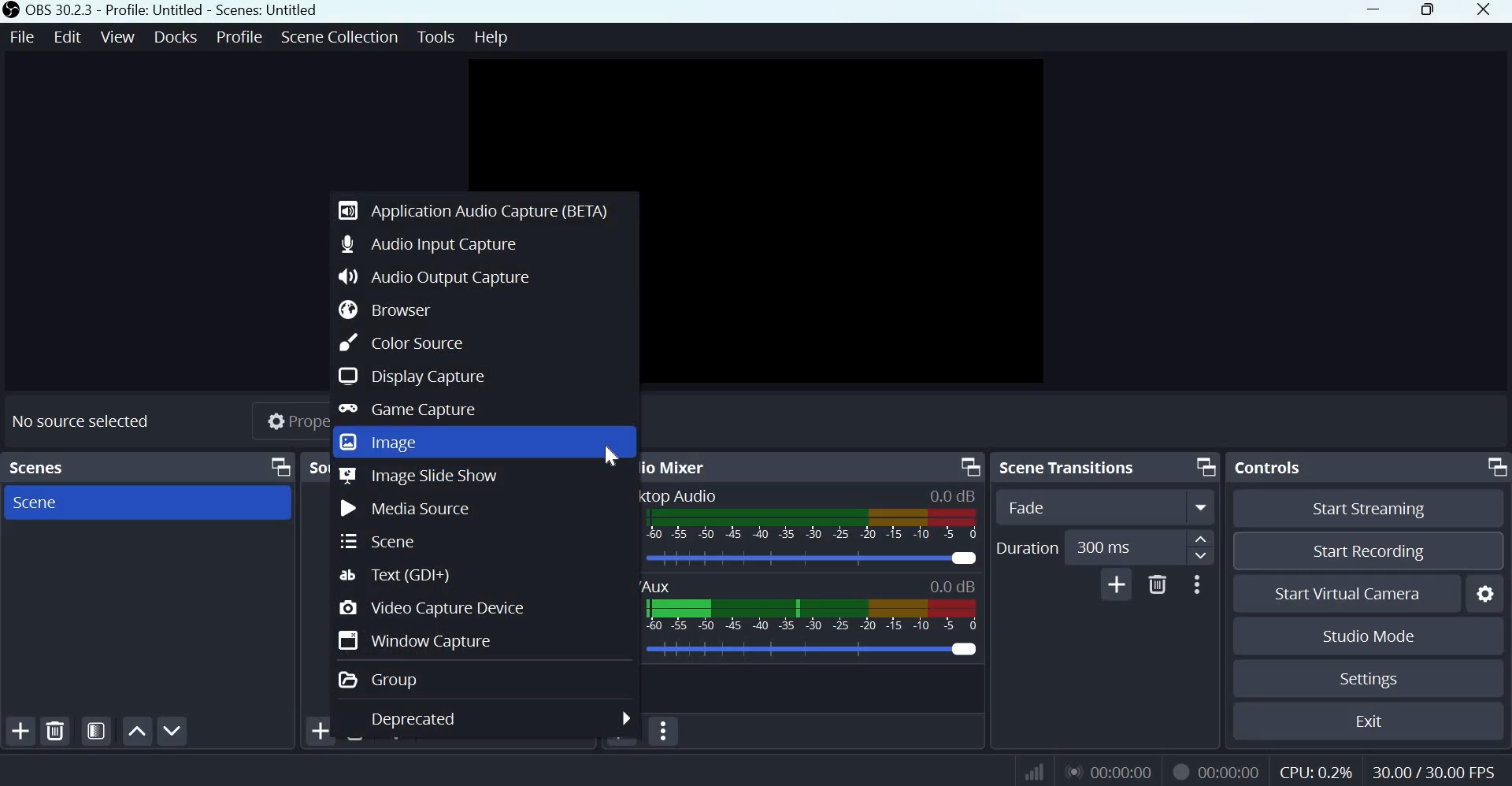 The image size is (1512, 786). Describe the element at coordinates (1493, 468) in the screenshot. I see `Dock Options icon` at that location.